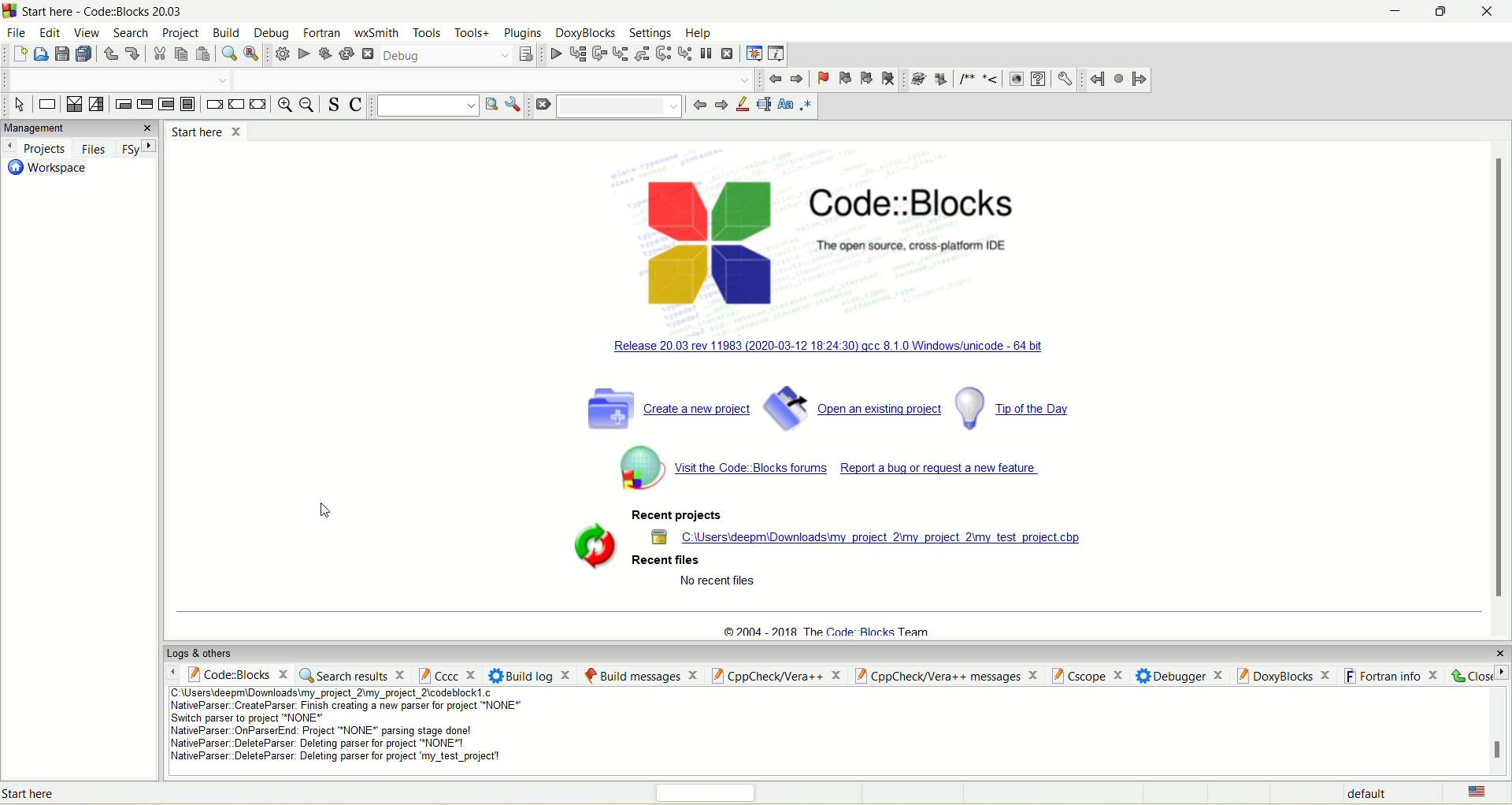  Describe the element at coordinates (260, 104) in the screenshot. I see `return instruction` at that location.